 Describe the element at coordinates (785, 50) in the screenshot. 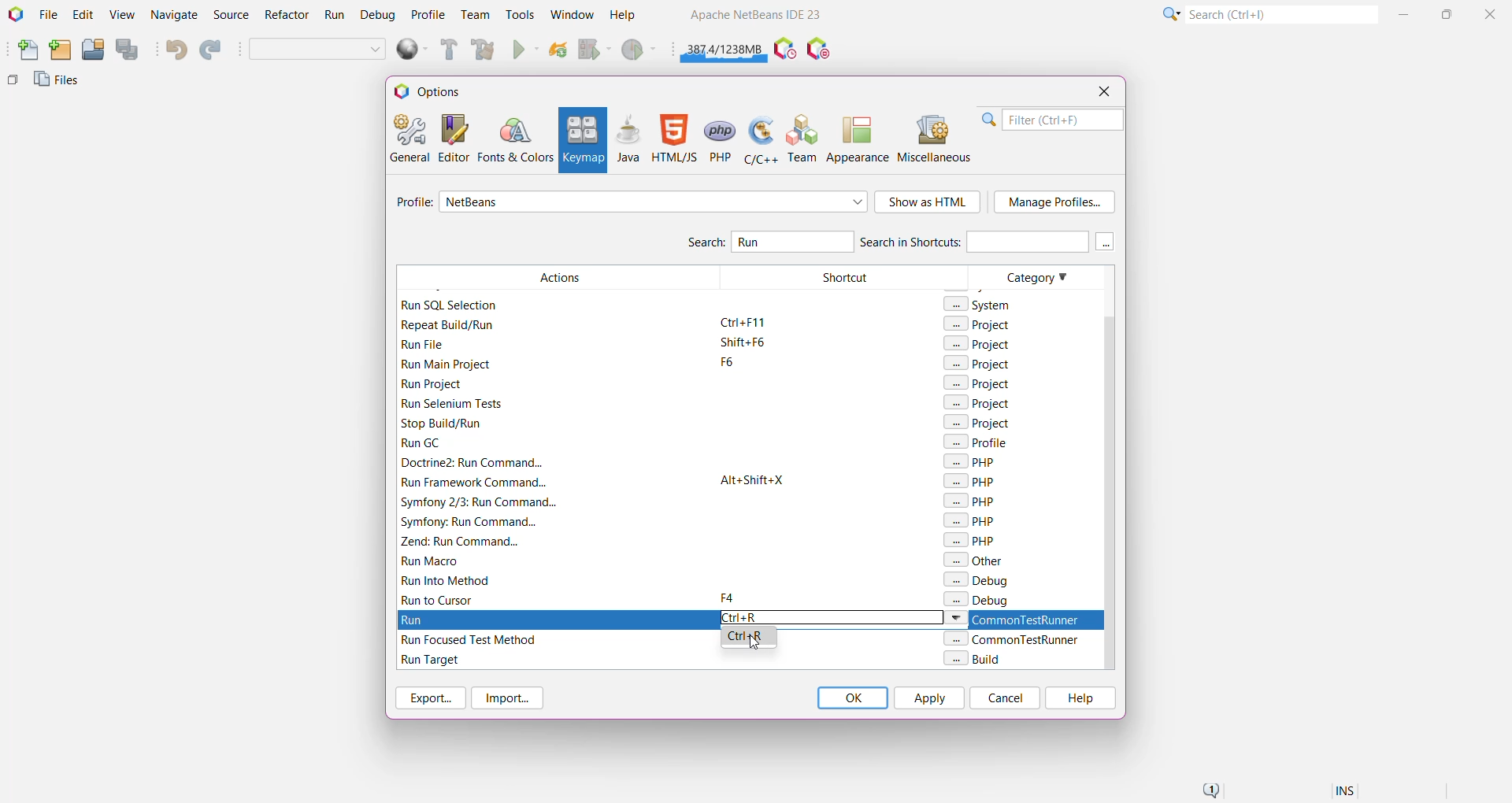

I see `Pause IDE profiling and take a Snapshot` at that location.